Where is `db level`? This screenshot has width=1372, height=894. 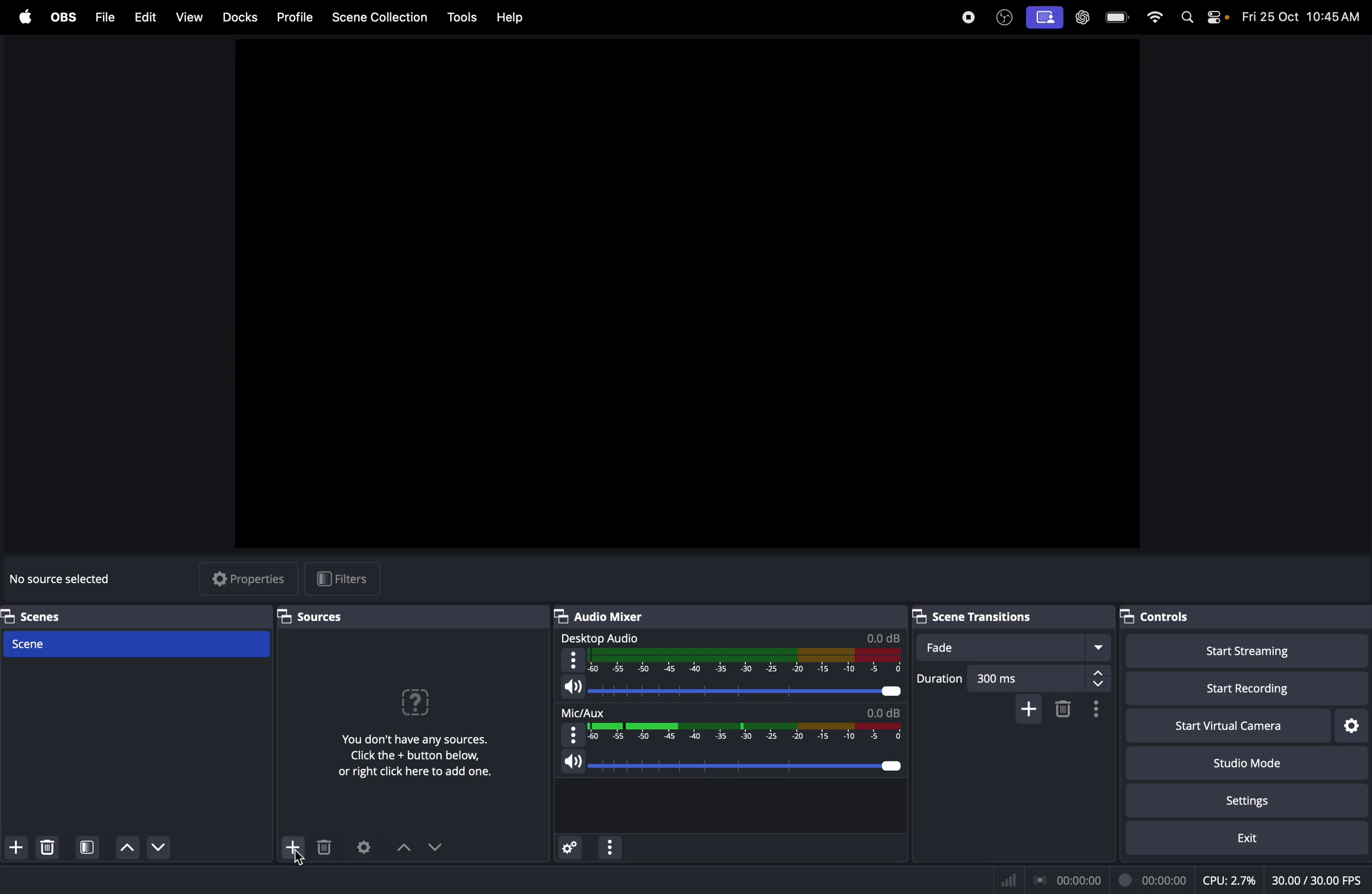 db level is located at coordinates (881, 712).